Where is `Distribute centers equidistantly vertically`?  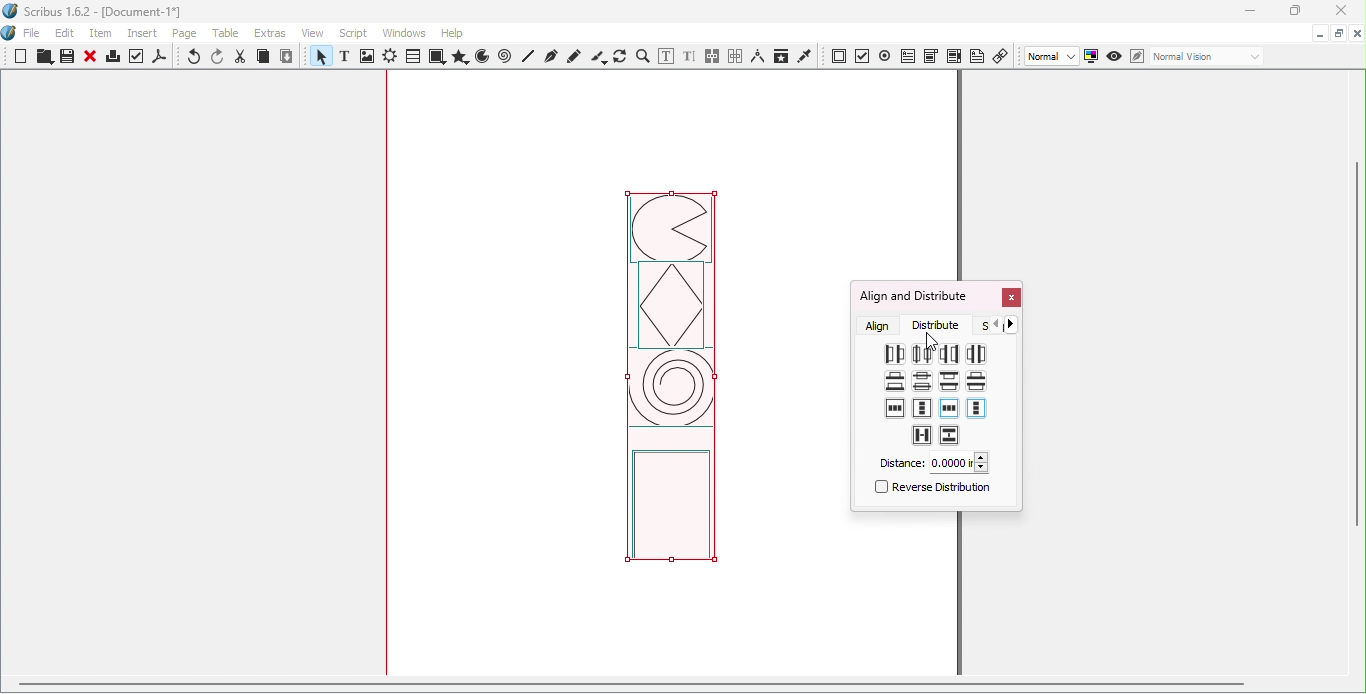 Distribute centers equidistantly vertically is located at coordinates (921, 383).